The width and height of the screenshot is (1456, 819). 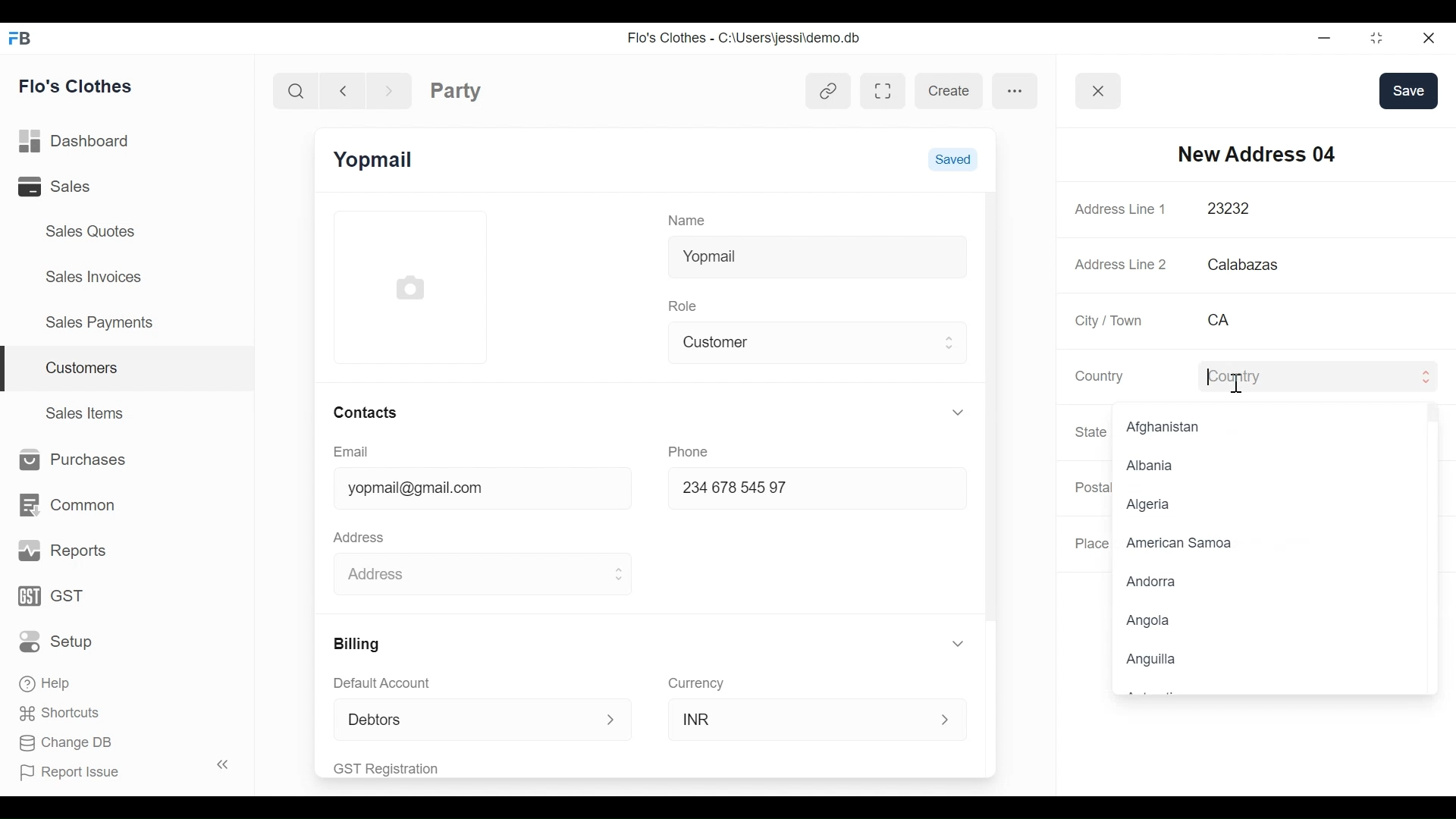 I want to click on Email, so click(x=352, y=452).